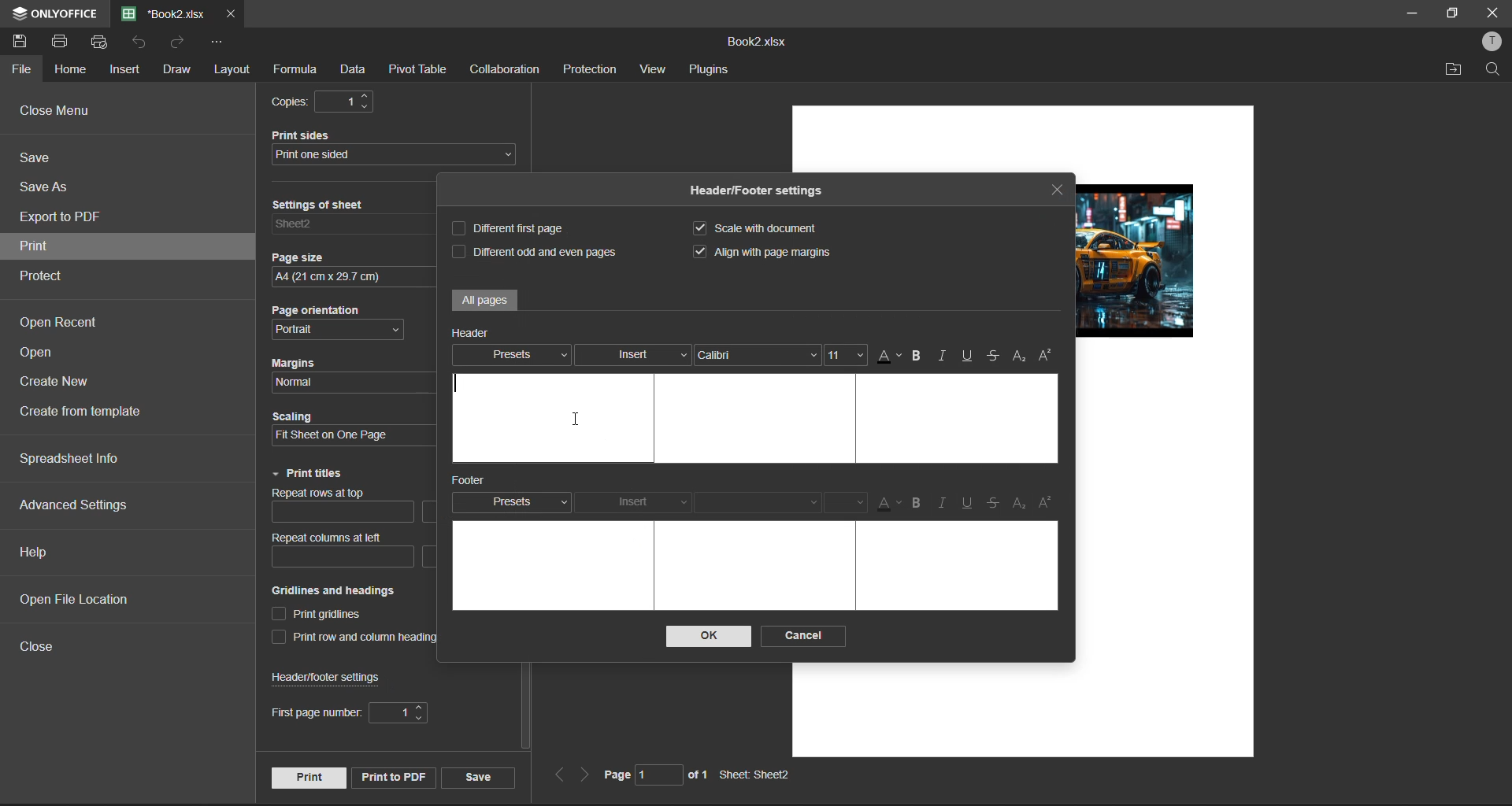 Image resolution: width=1512 pixels, height=806 pixels. What do you see at coordinates (476, 776) in the screenshot?
I see `save` at bounding box center [476, 776].